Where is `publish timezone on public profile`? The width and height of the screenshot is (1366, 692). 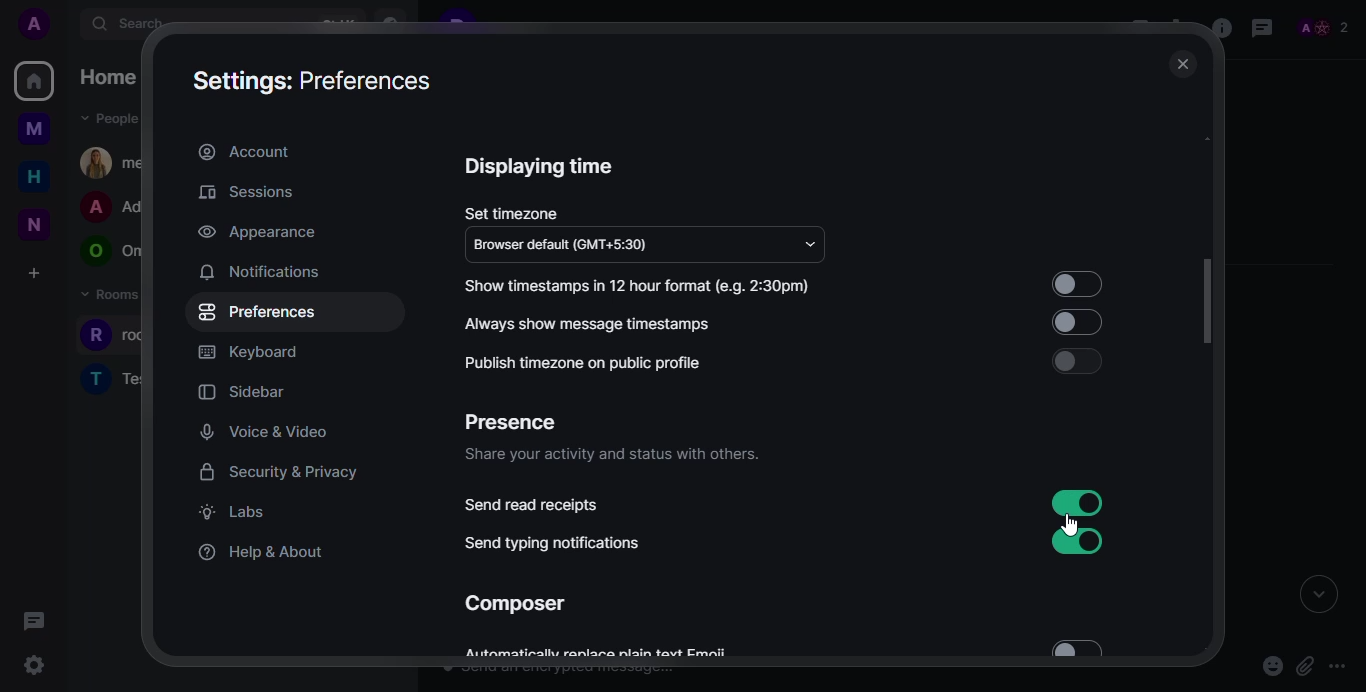 publish timezone on public profile is located at coordinates (576, 364).